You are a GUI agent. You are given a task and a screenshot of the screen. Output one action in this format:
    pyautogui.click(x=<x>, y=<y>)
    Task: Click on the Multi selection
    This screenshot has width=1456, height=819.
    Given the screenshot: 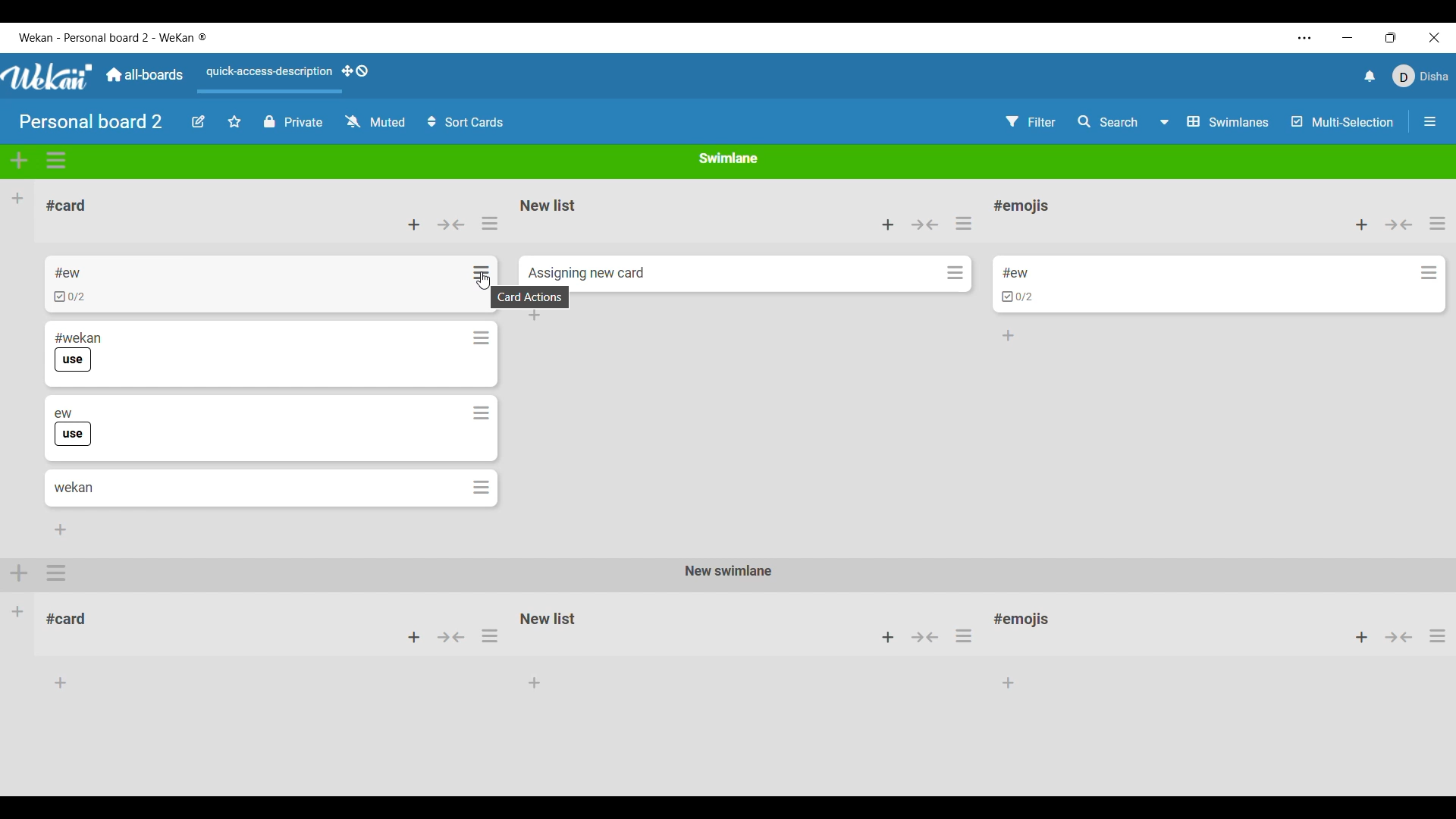 What is the action you would take?
    pyautogui.click(x=1343, y=122)
    